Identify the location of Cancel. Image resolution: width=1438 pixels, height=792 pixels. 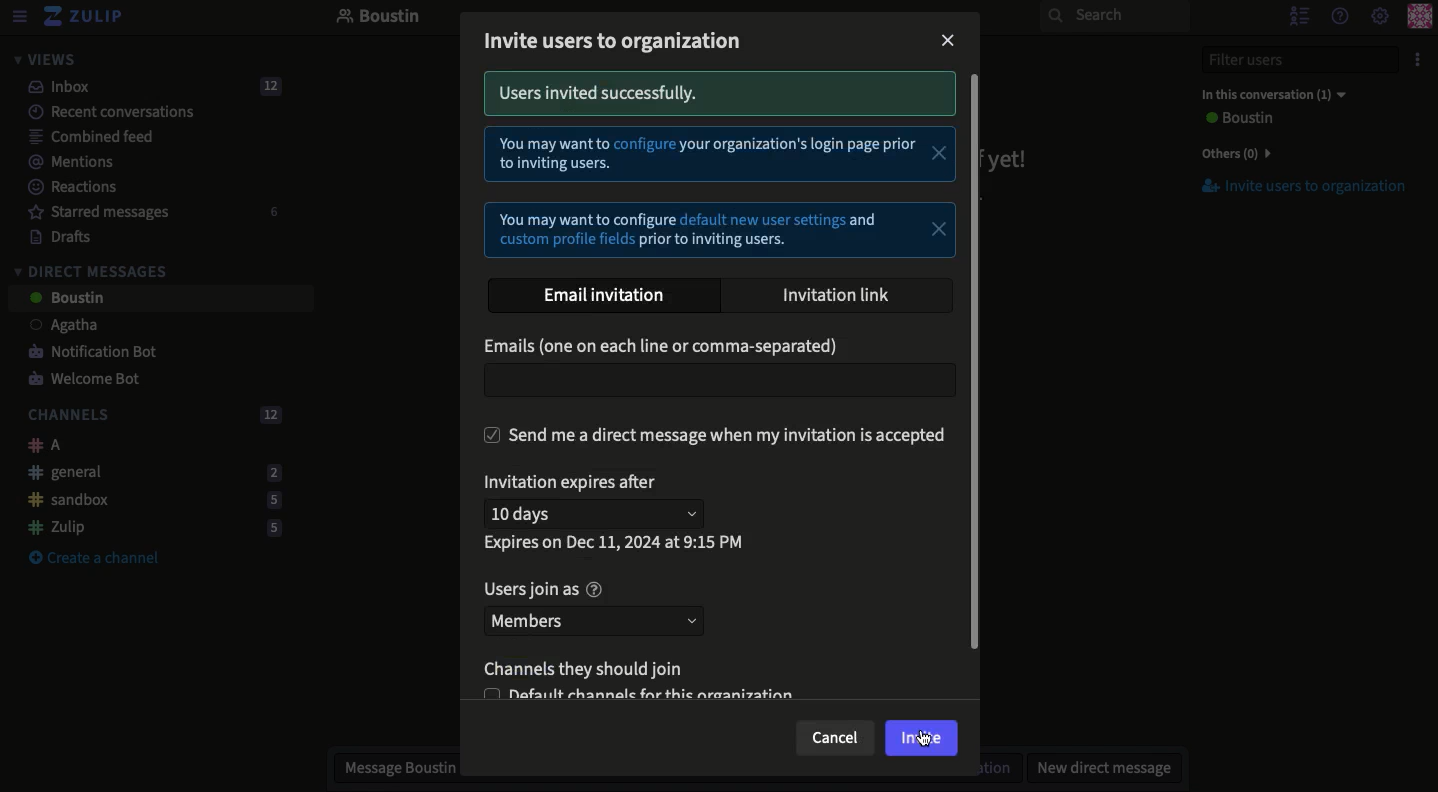
(835, 740).